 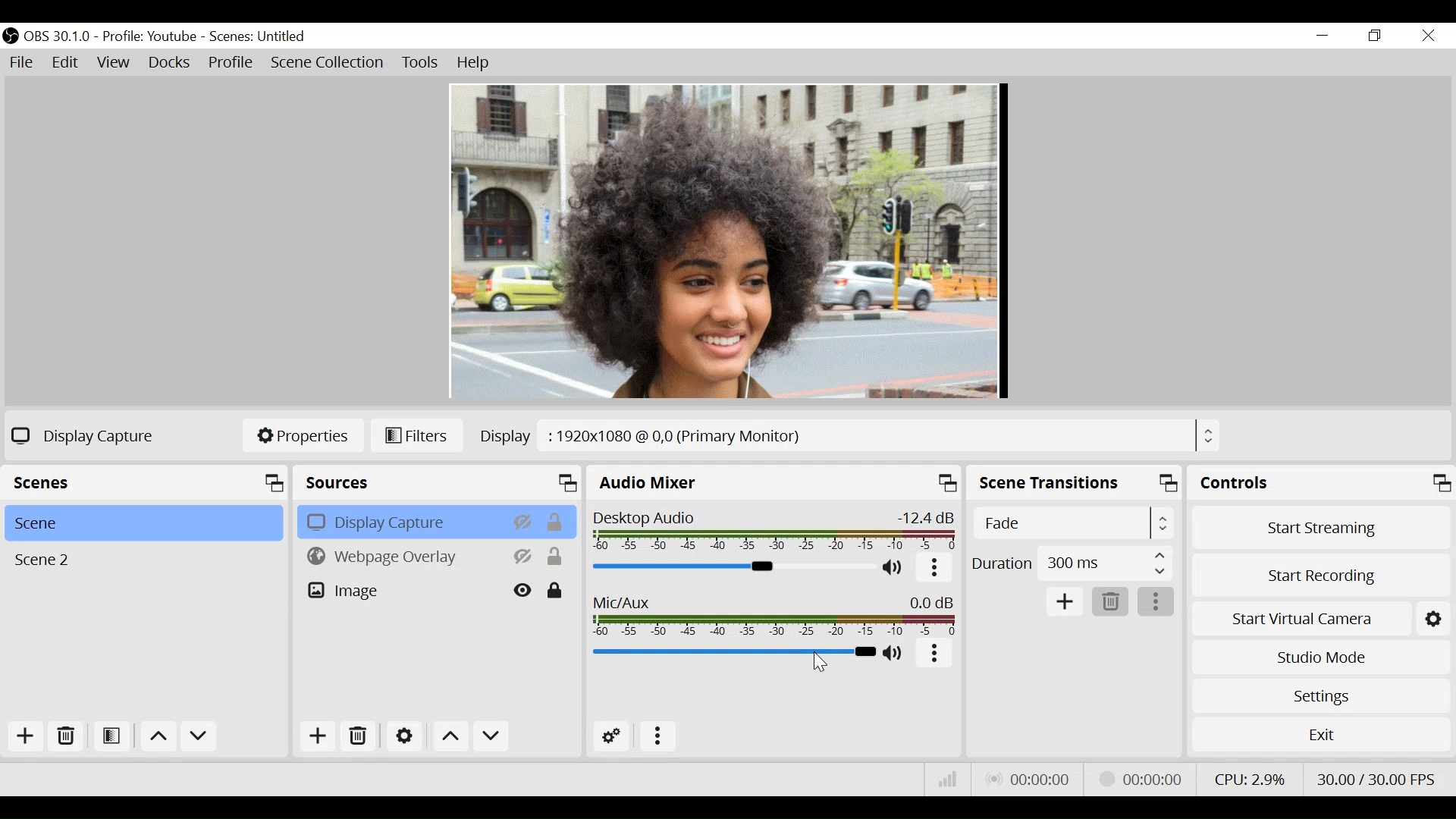 What do you see at coordinates (1428, 36) in the screenshot?
I see `Close` at bounding box center [1428, 36].